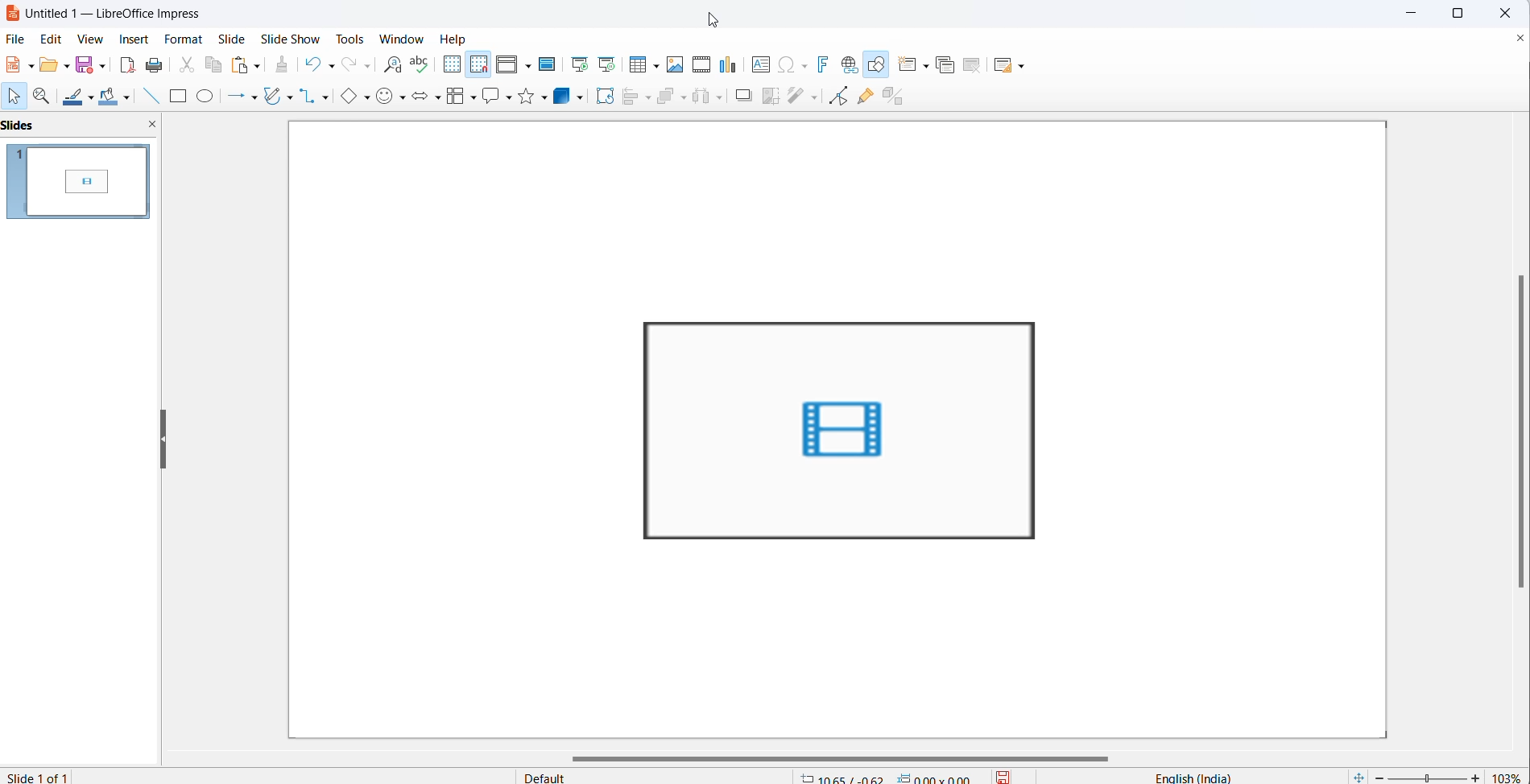 The height and width of the screenshot is (784, 1530). What do you see at coordinates (636, 65) in the screenshot?
I see `insert table` at bounding box center [636, 65].